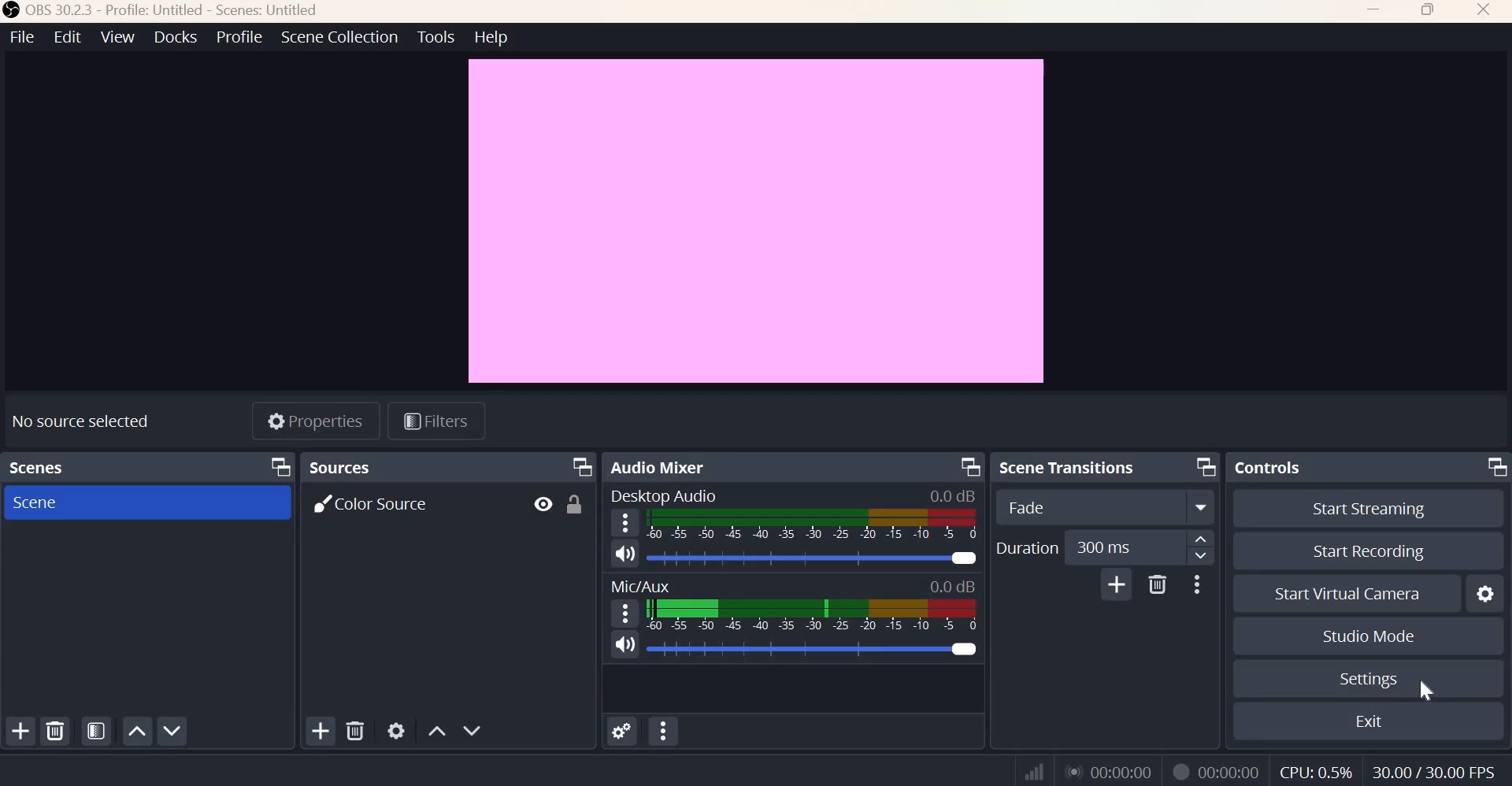 This screenshot has width=1512, height=786. I want to click on Add source(s), so click(318, 730).